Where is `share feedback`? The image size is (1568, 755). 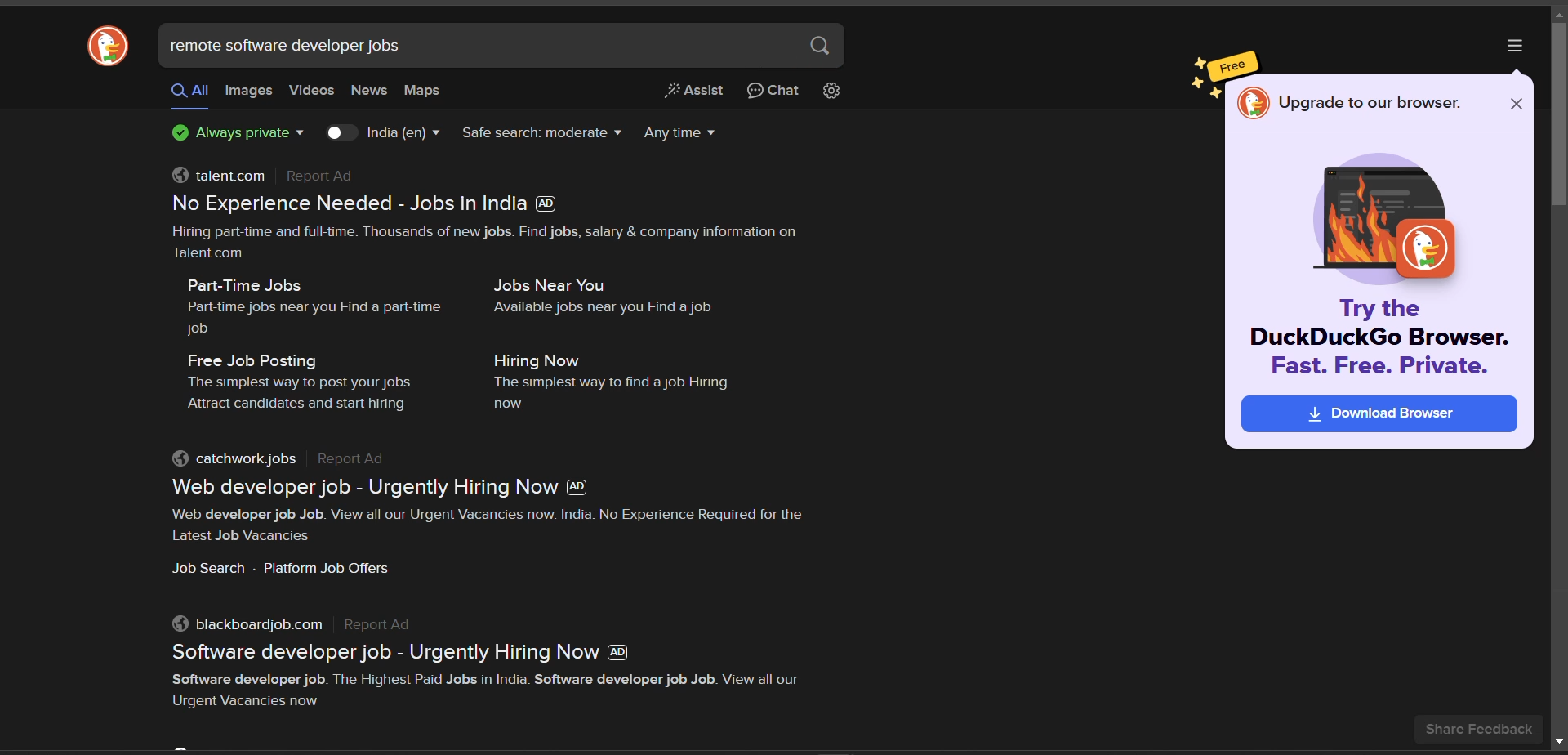
share feedback is located at coordinates (1475, 731).